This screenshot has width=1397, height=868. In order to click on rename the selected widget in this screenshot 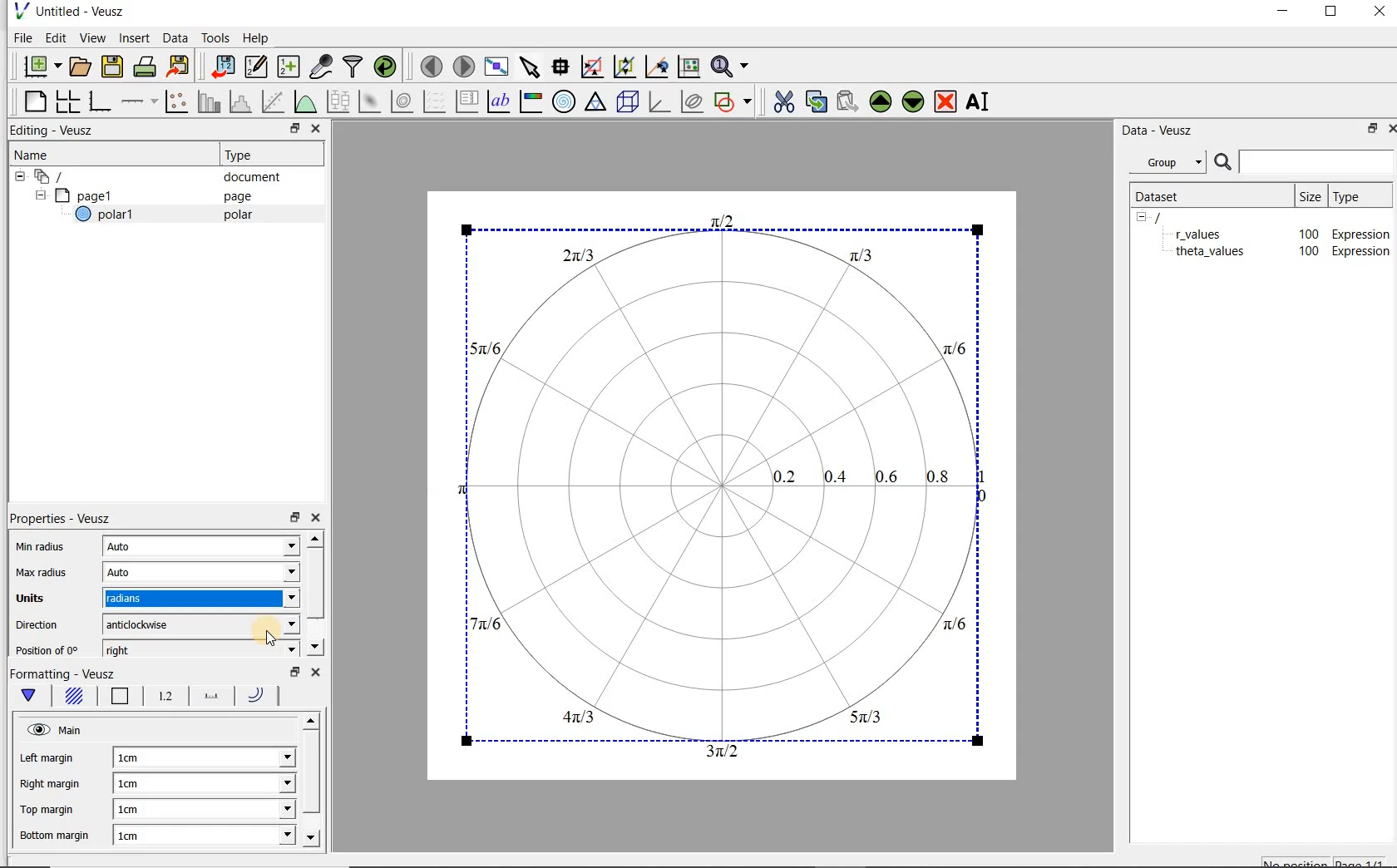, I will do `click(981, 101)`.